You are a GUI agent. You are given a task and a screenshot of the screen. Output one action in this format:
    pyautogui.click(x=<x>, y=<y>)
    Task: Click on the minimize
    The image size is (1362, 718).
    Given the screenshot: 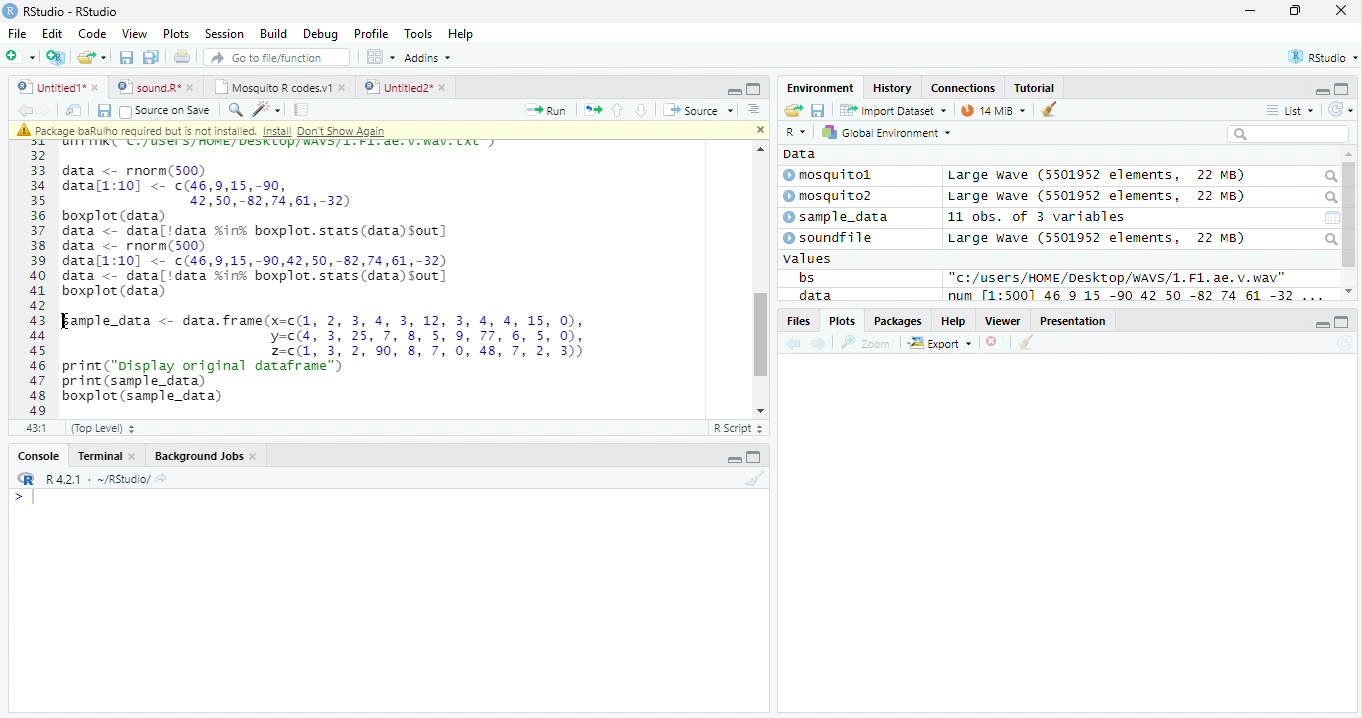 What is the action you would take?
    pyautogui.click(x=734, y=90)
    